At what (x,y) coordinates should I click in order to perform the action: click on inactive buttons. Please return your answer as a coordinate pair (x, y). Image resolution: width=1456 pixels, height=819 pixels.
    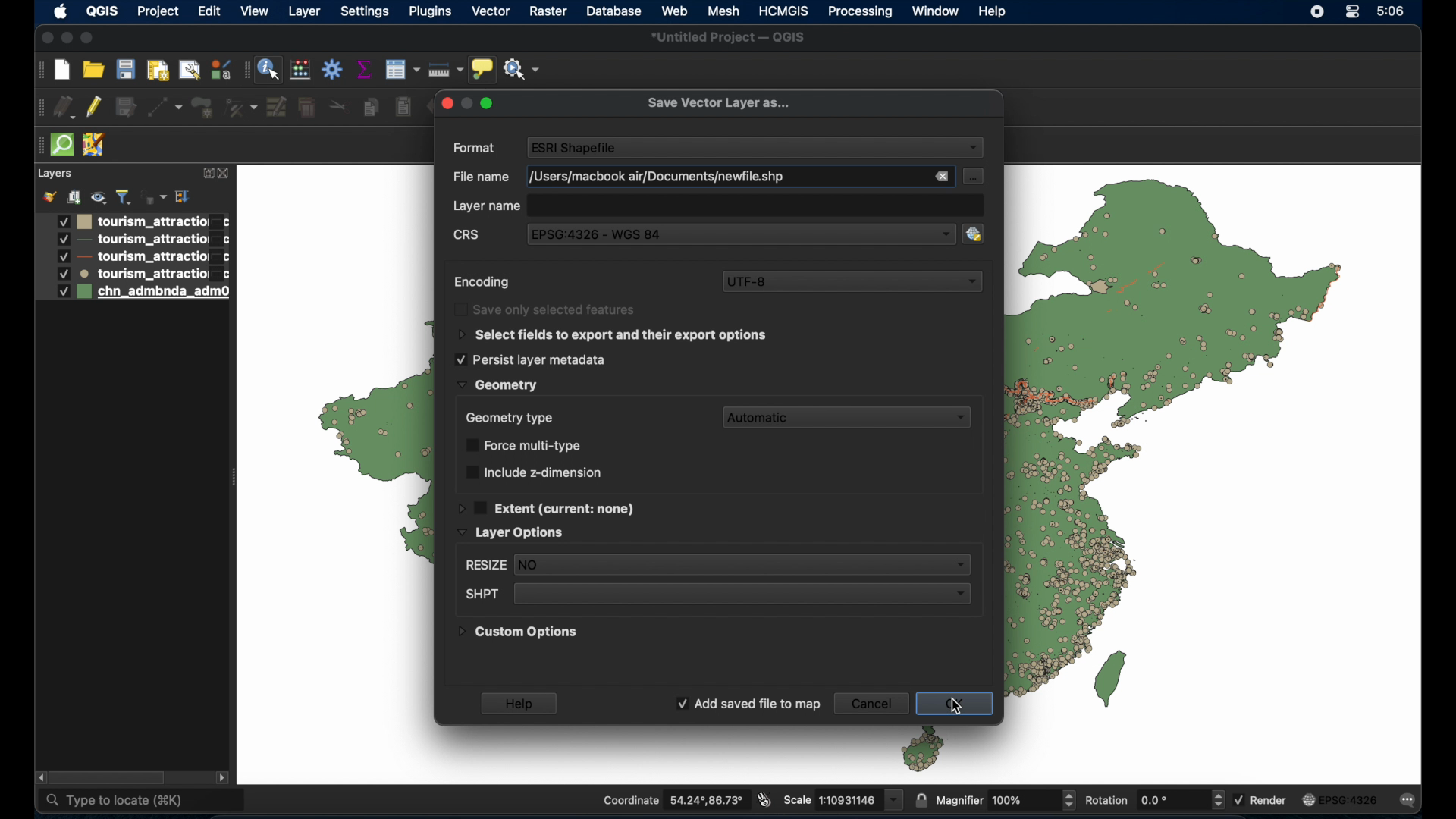
    Looking at the image, I should click on (466, 102).